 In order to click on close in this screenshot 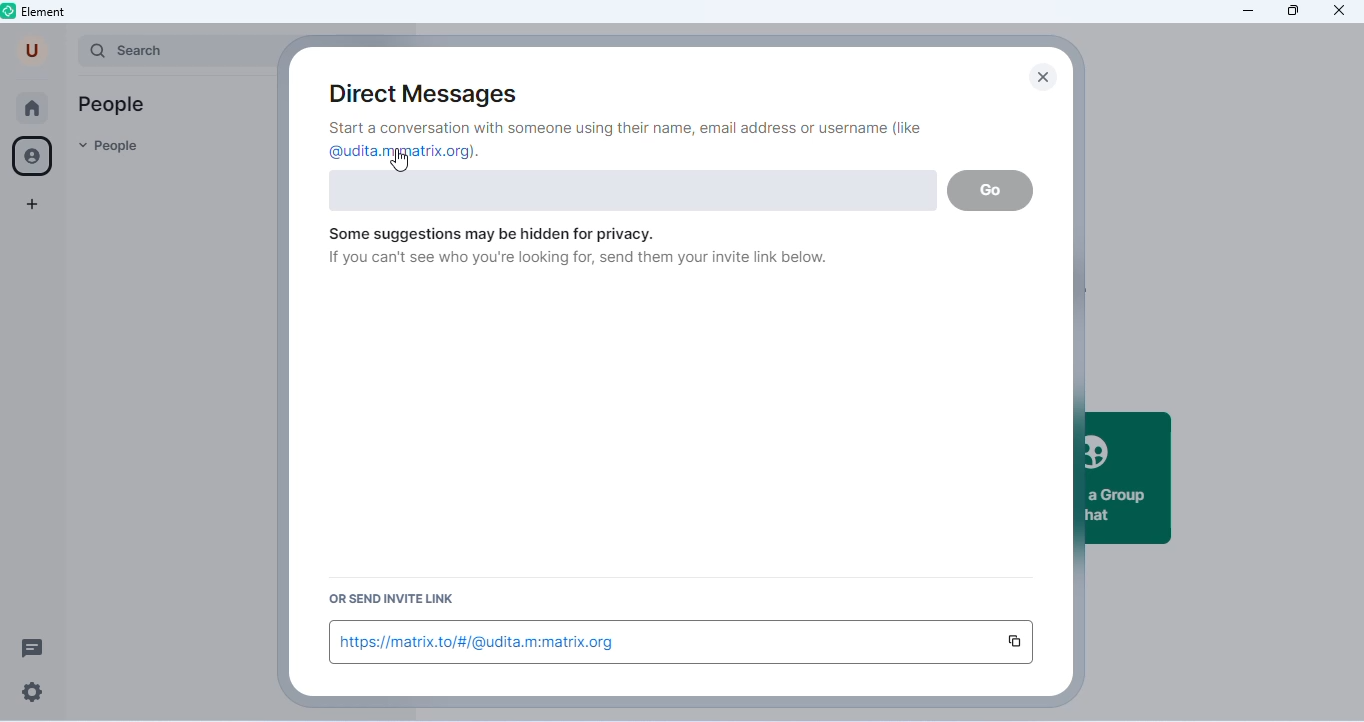, I will do `click(1046, 79)`.